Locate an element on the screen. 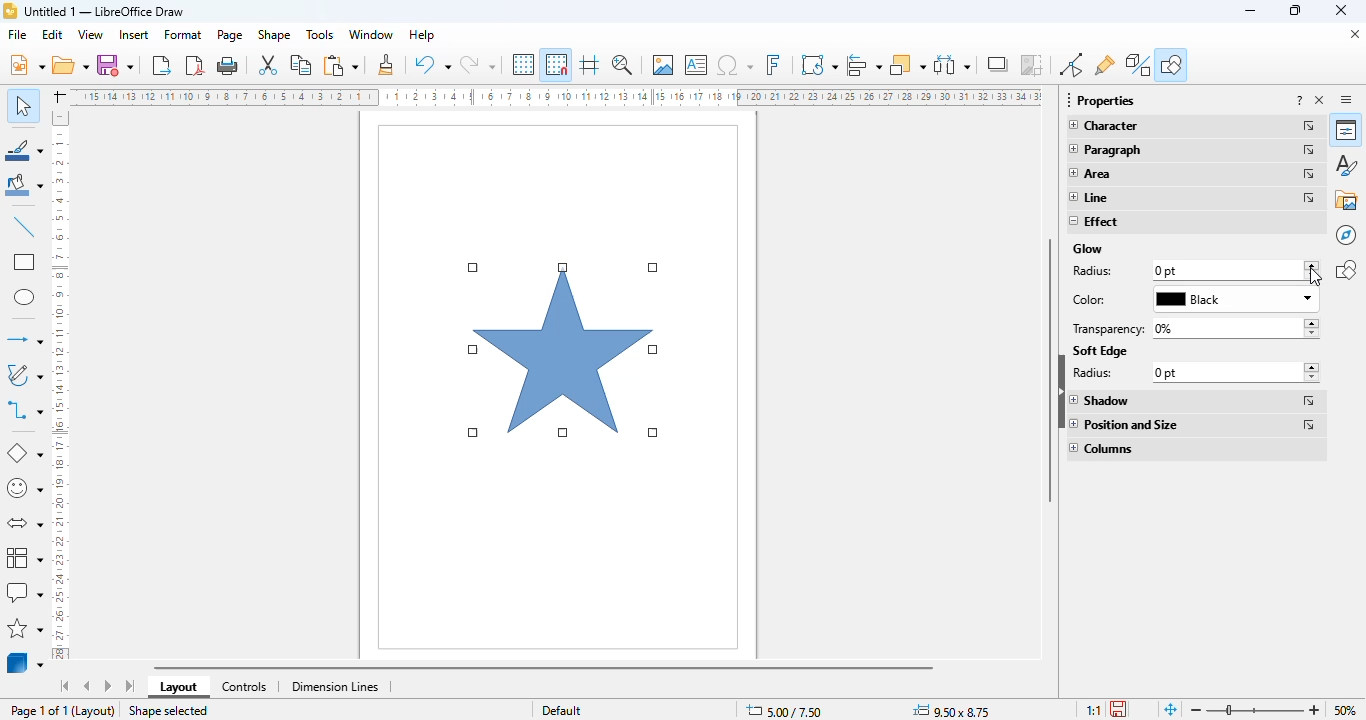  connector is located at coordinates (24, 412).